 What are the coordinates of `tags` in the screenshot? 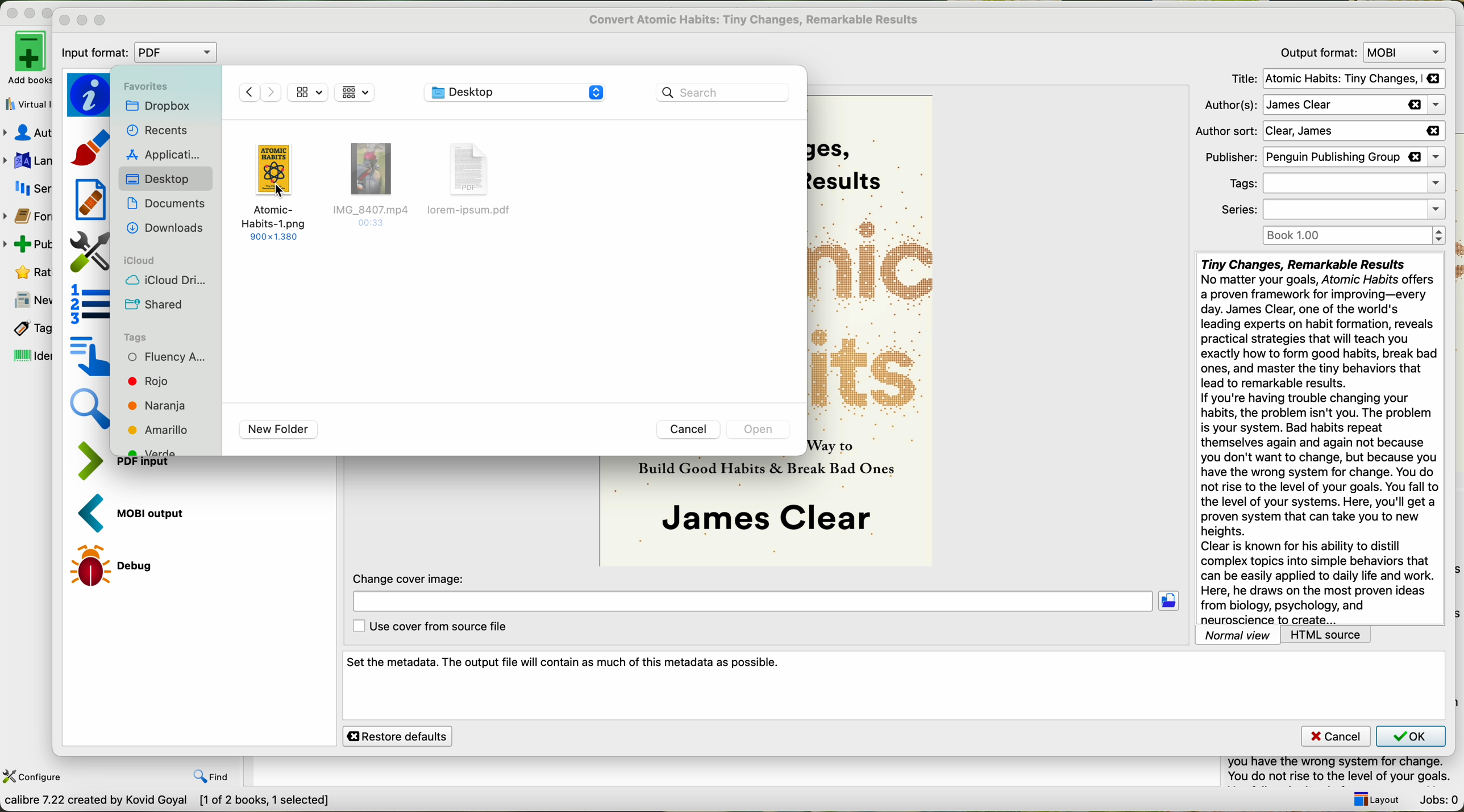 It's located at (139, 337).